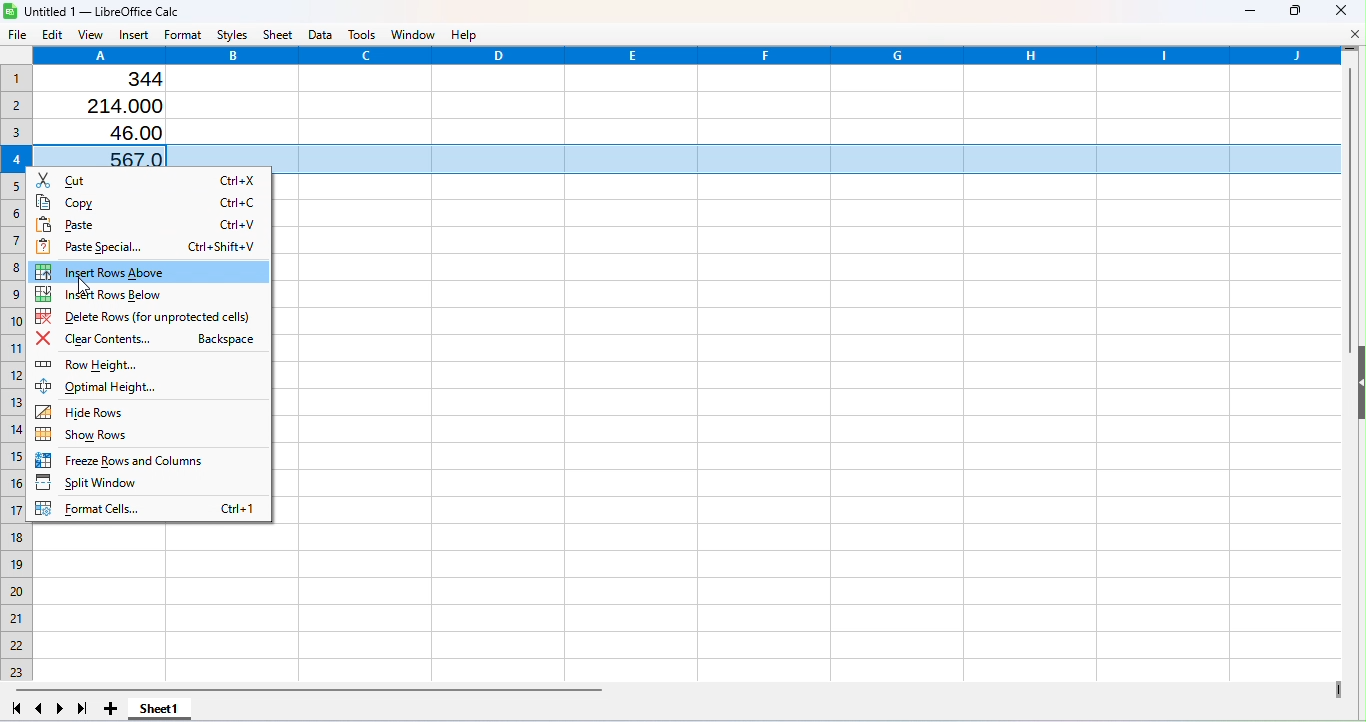  Describe the element at coordinates (149, 223) in the screenshot. I see `Paste   Ctrl+V` at that location.